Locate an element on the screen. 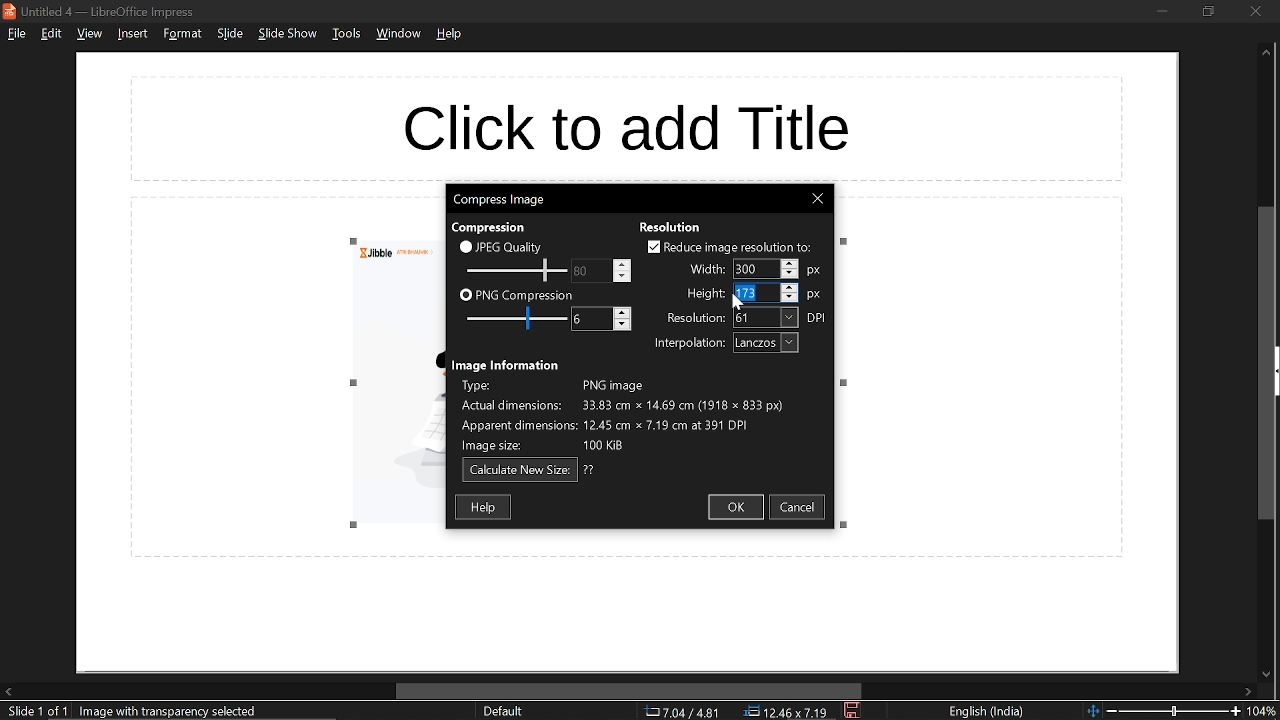 The height and width of the screenshot is (720, 1280). tools is located at coordinates (345, 37).